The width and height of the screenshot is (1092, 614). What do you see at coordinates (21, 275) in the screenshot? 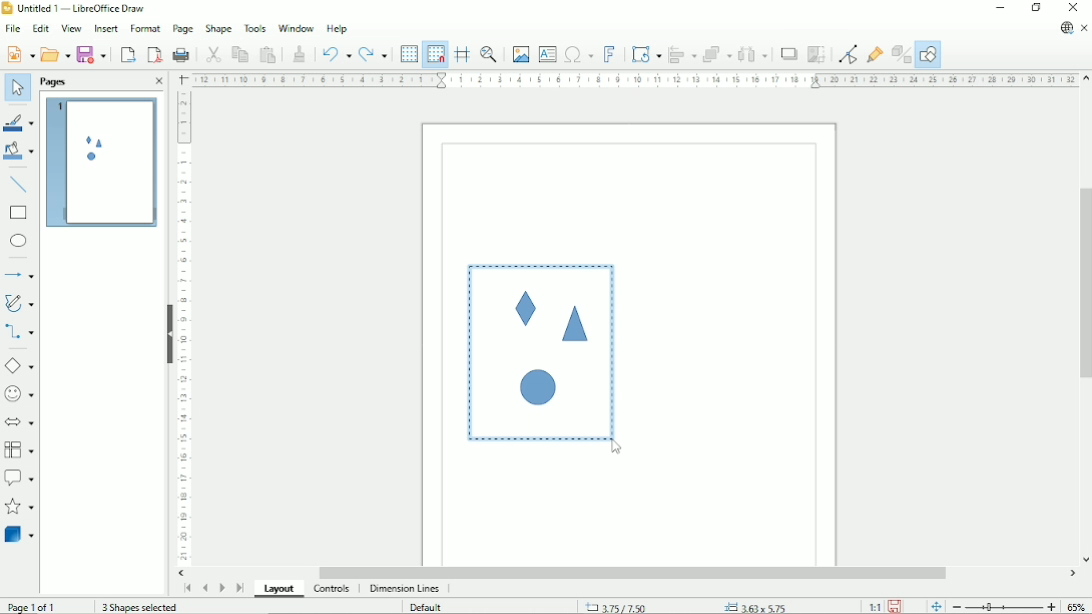
I see `Lines and arrows` at bounding box center [21, 275].